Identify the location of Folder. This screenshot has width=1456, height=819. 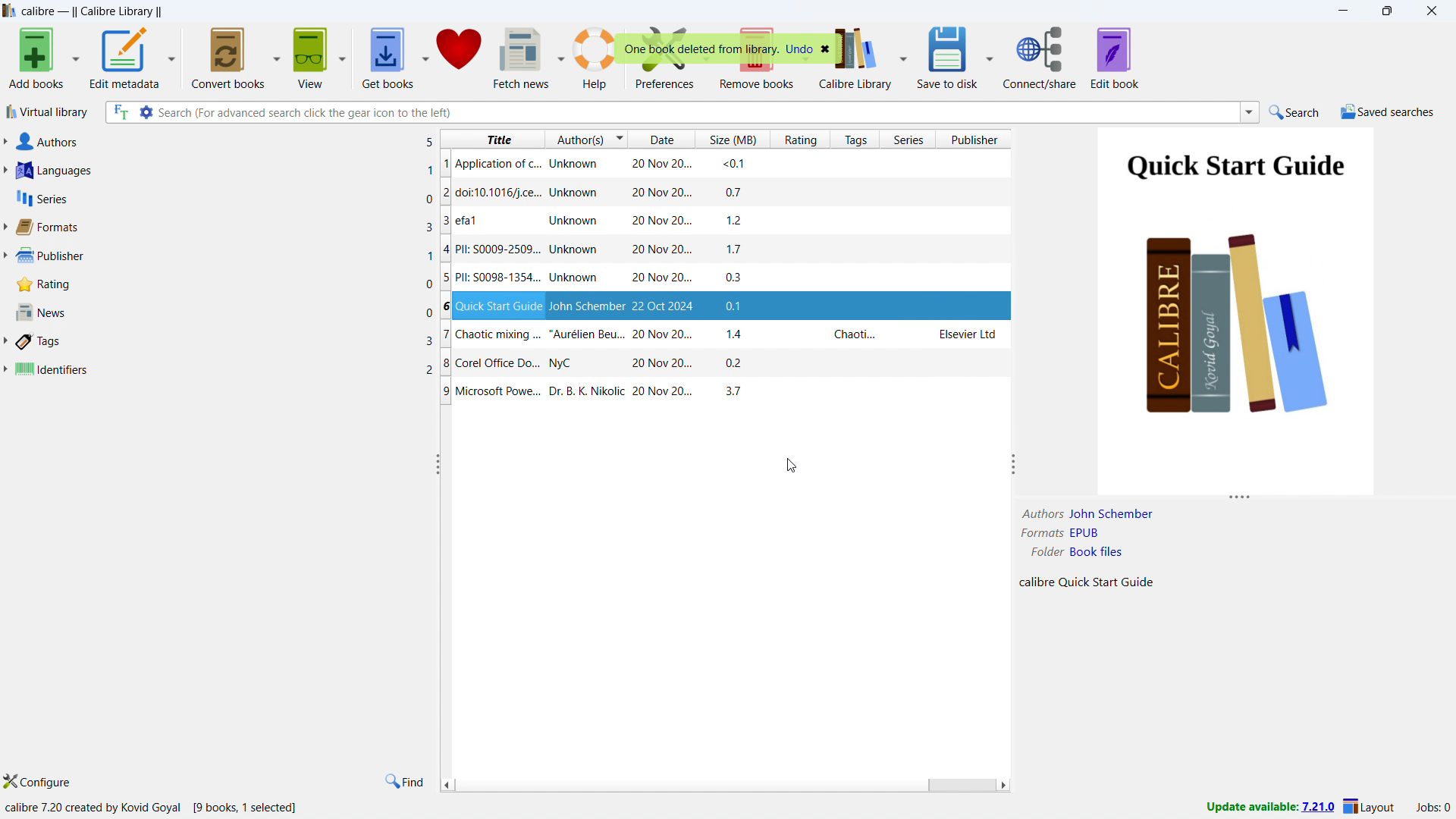
(1040, 553).